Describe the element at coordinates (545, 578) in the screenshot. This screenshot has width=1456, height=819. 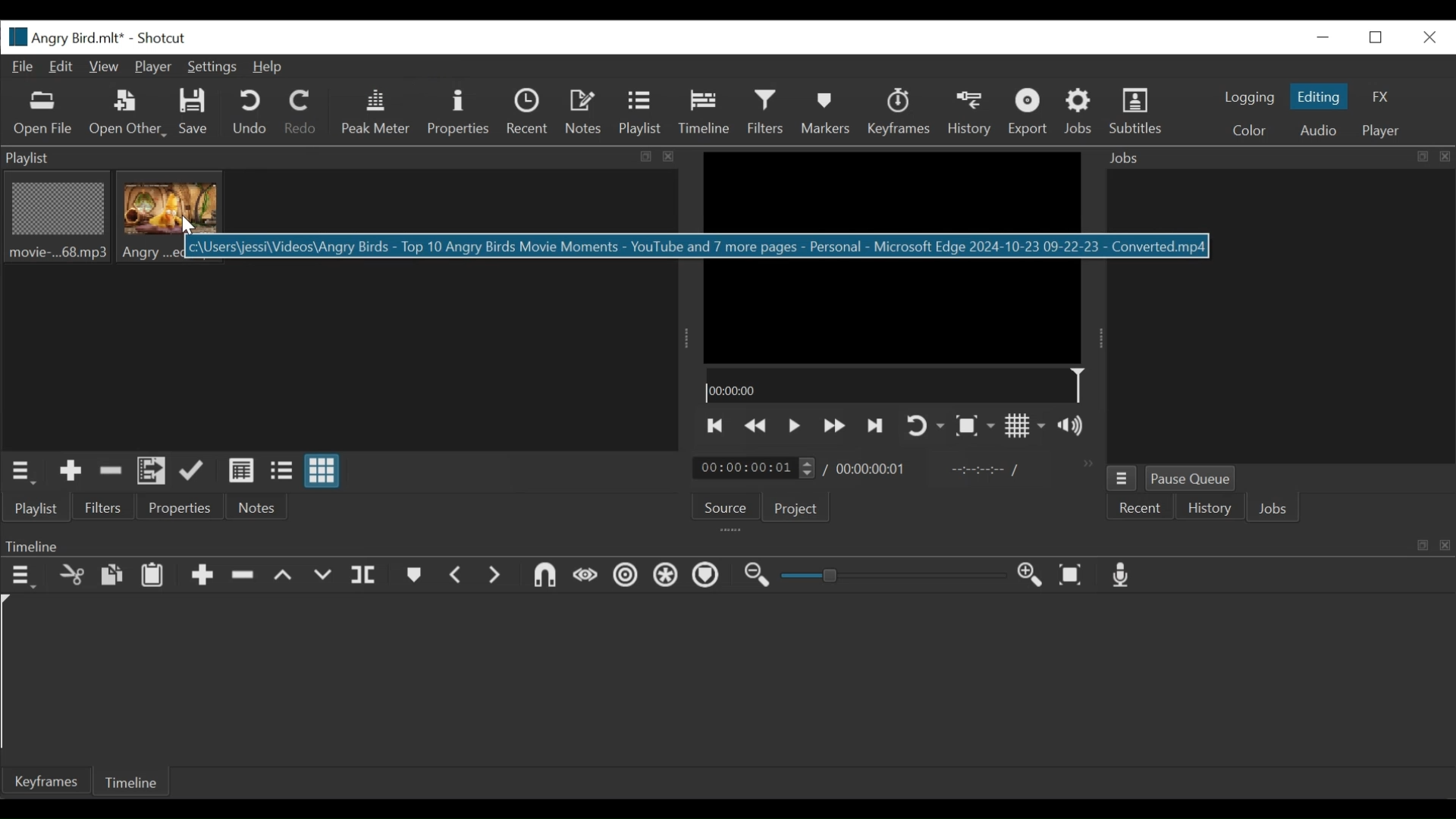
I see `Snap` at that location.